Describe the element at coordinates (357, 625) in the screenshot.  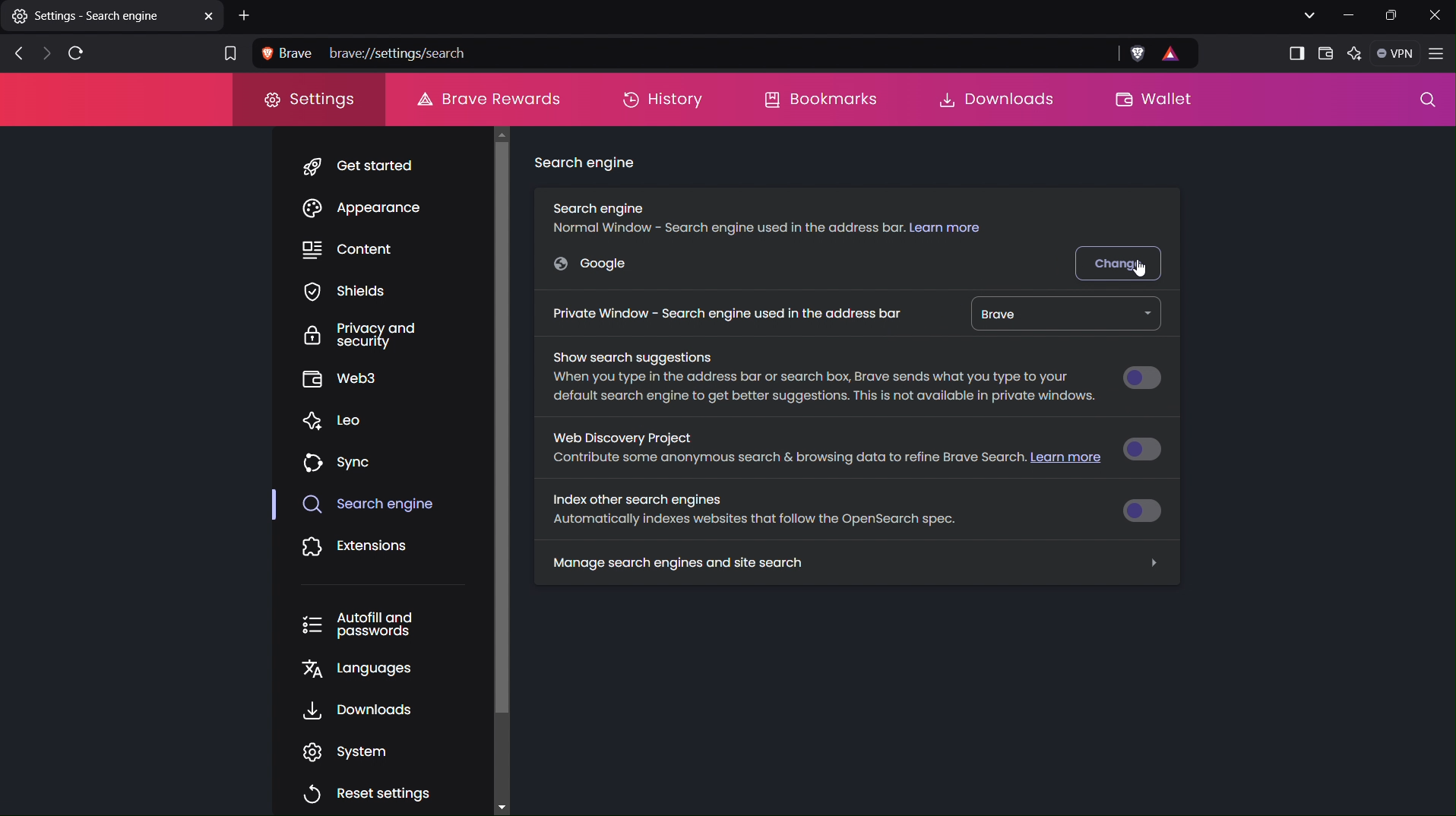
I see `Autofill and passwords` at that location.